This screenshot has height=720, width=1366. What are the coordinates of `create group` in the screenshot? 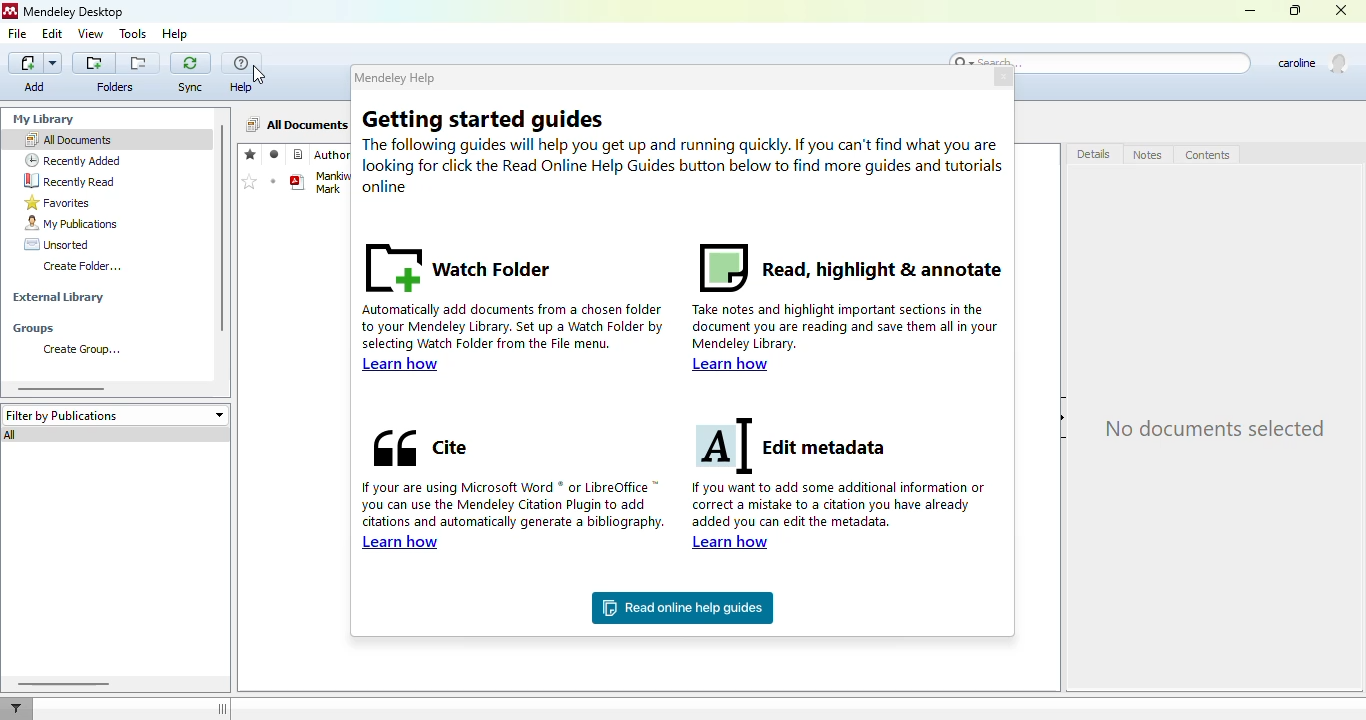 It's located at (82, 349).